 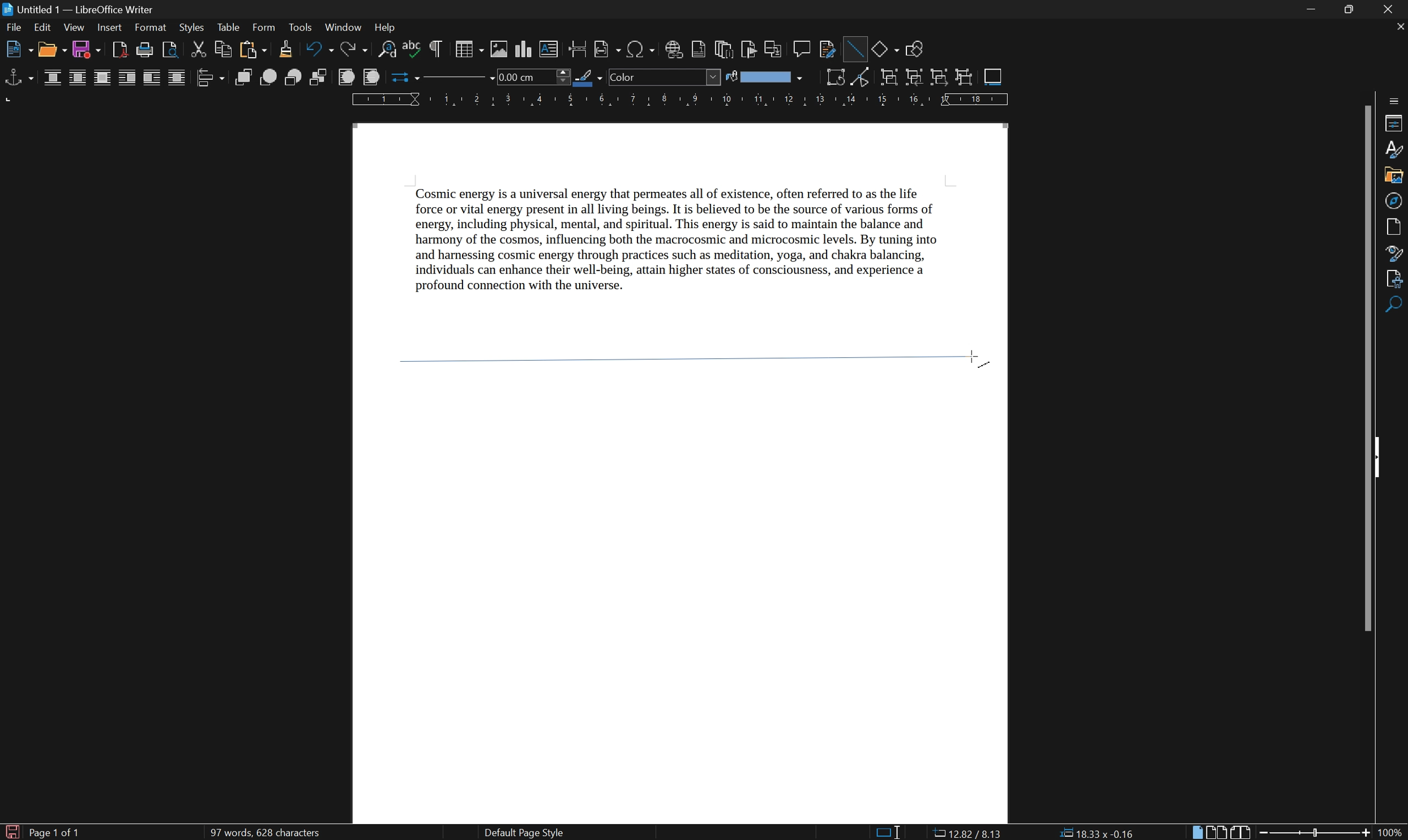 I want to click on save, so click(x=88, y=50).